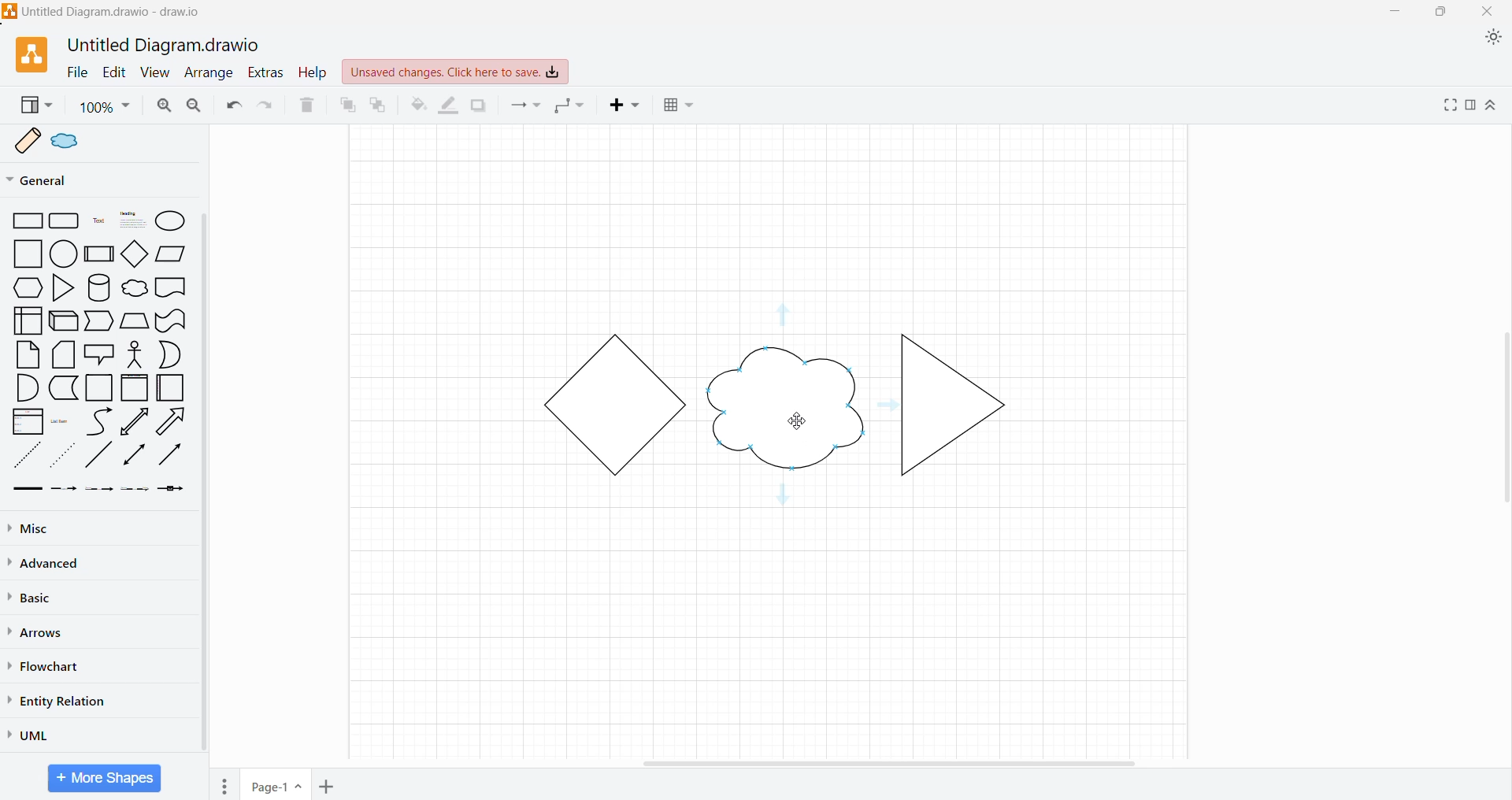 Image resolution: width=1512 pixels, height=800 pixels. What do you see at coordinates (95, 355) in the screenshot?
I see `Shapes` at bounding box center [95, 355].